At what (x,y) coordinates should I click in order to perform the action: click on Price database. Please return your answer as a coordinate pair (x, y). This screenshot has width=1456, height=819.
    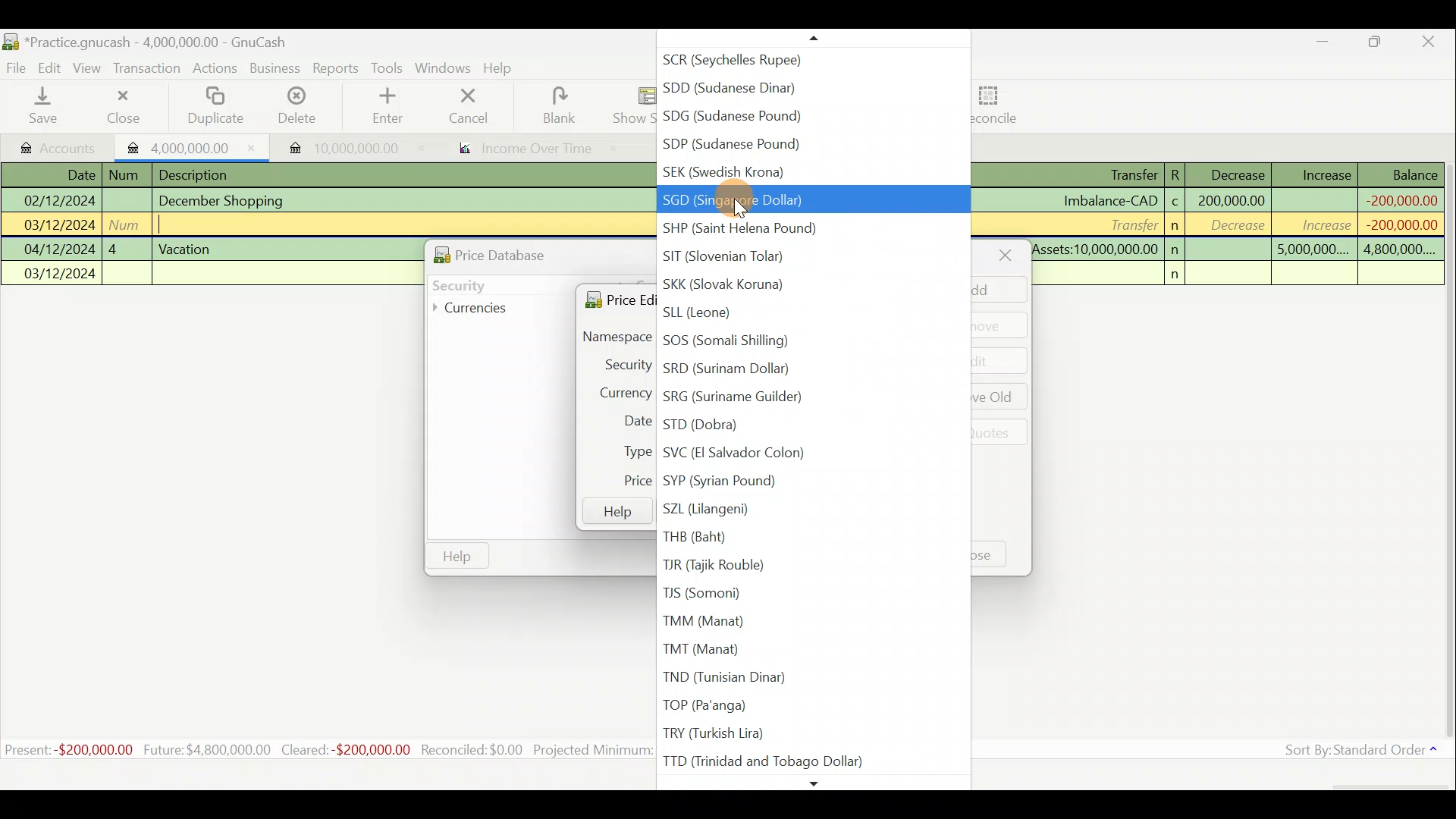
    Looking at the image, I should click on (524, 253).